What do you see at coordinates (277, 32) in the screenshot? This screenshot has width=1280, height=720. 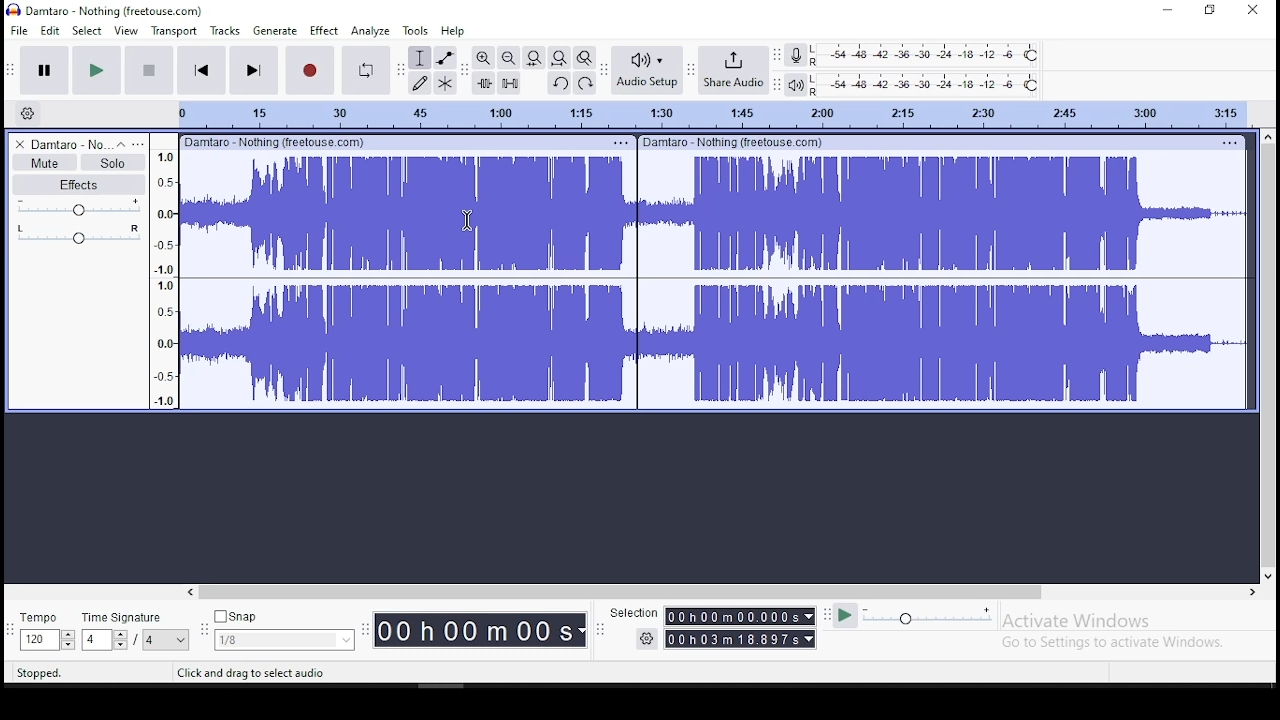 I see `generate` at bounding box center [277, 32].